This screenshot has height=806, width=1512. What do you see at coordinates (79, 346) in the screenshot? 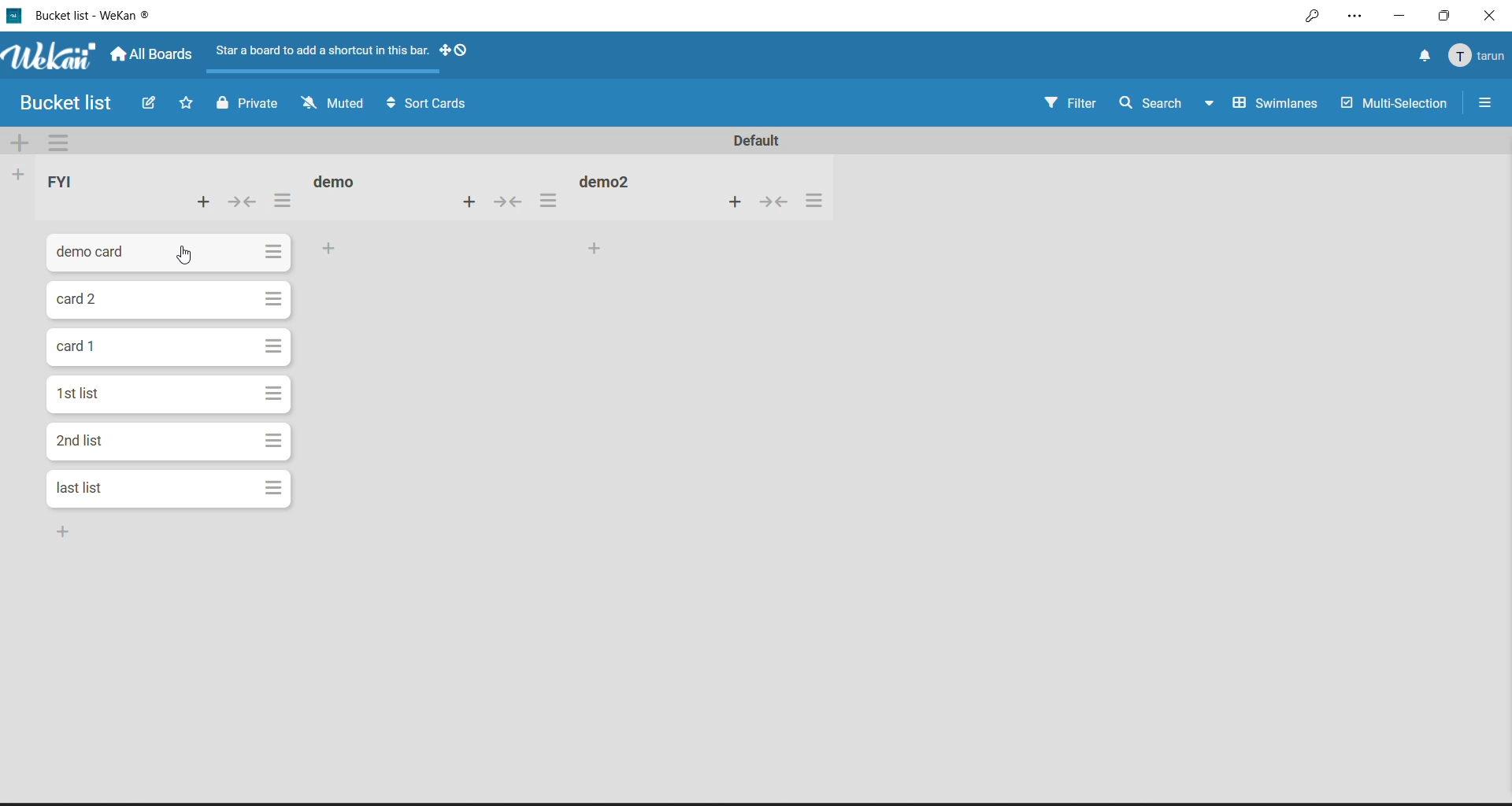
I see `card title` at bounding box center [79, 346].